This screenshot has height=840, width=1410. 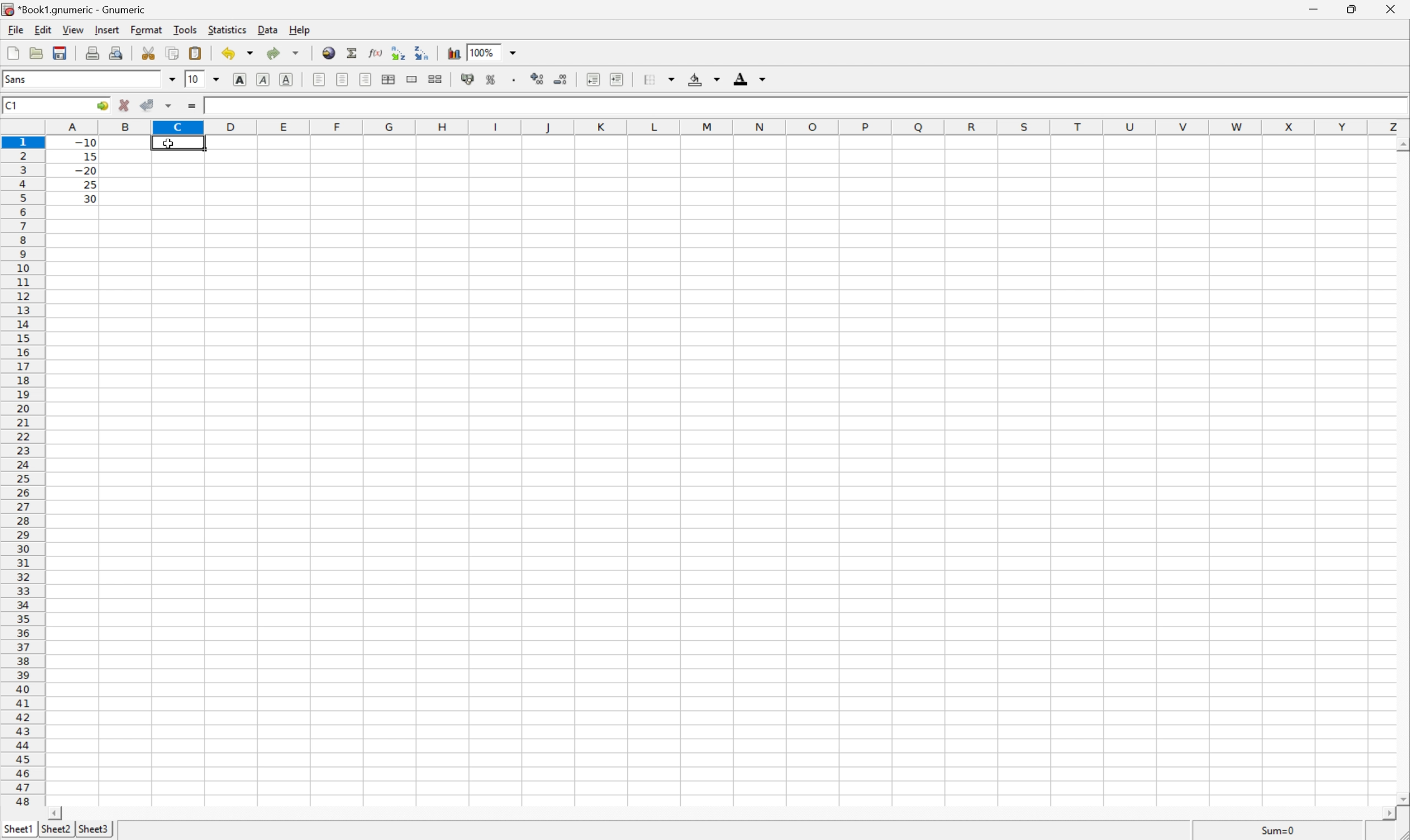 What do you see at coordinates (226, 30) in the screenshot?
I see `Statistics` at bounding box center [226, 30].